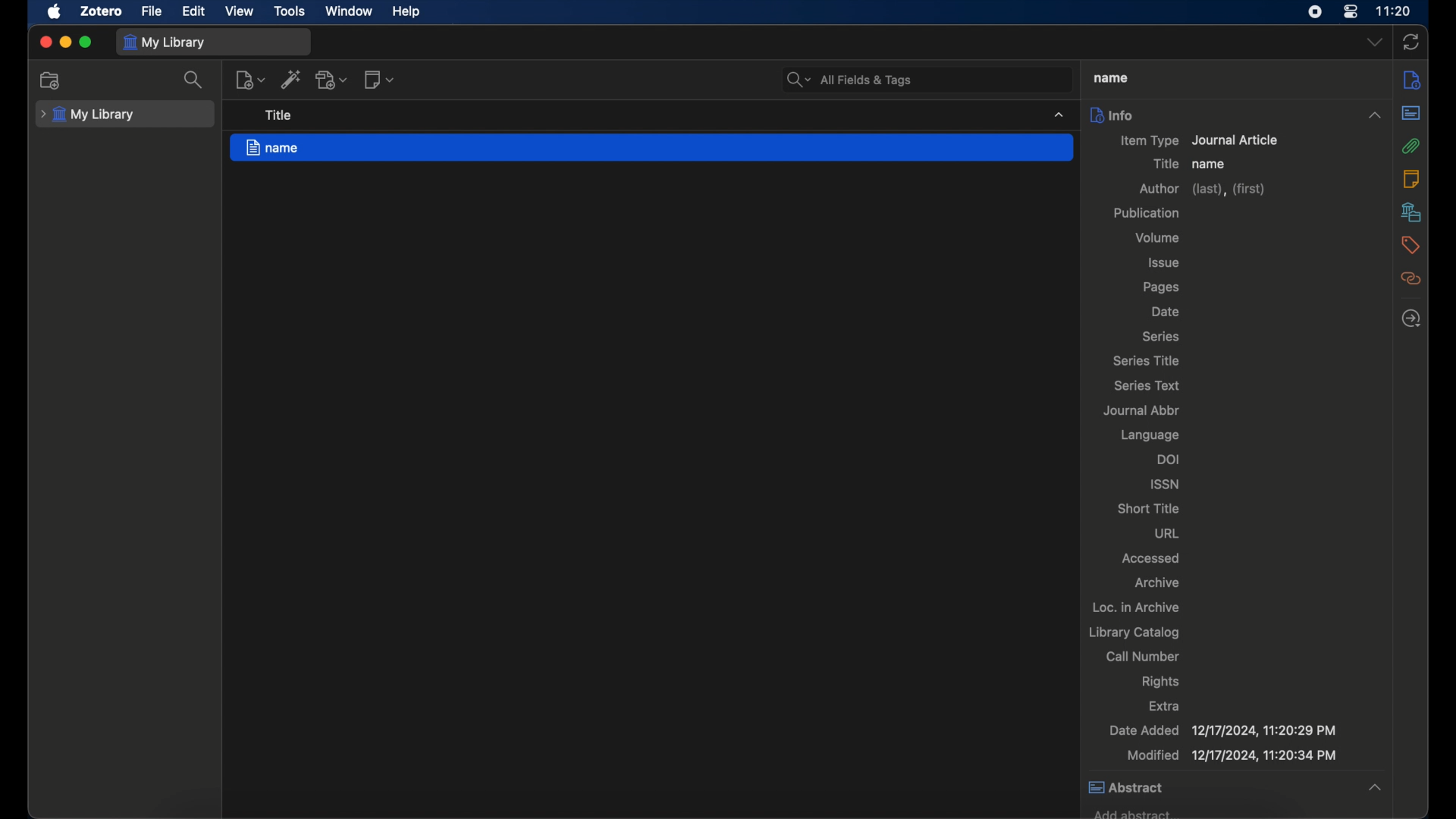  What do you see at coordinates (1200, 140) in the screenshot?
I see `item type ` at bounding box center [1200, 140].